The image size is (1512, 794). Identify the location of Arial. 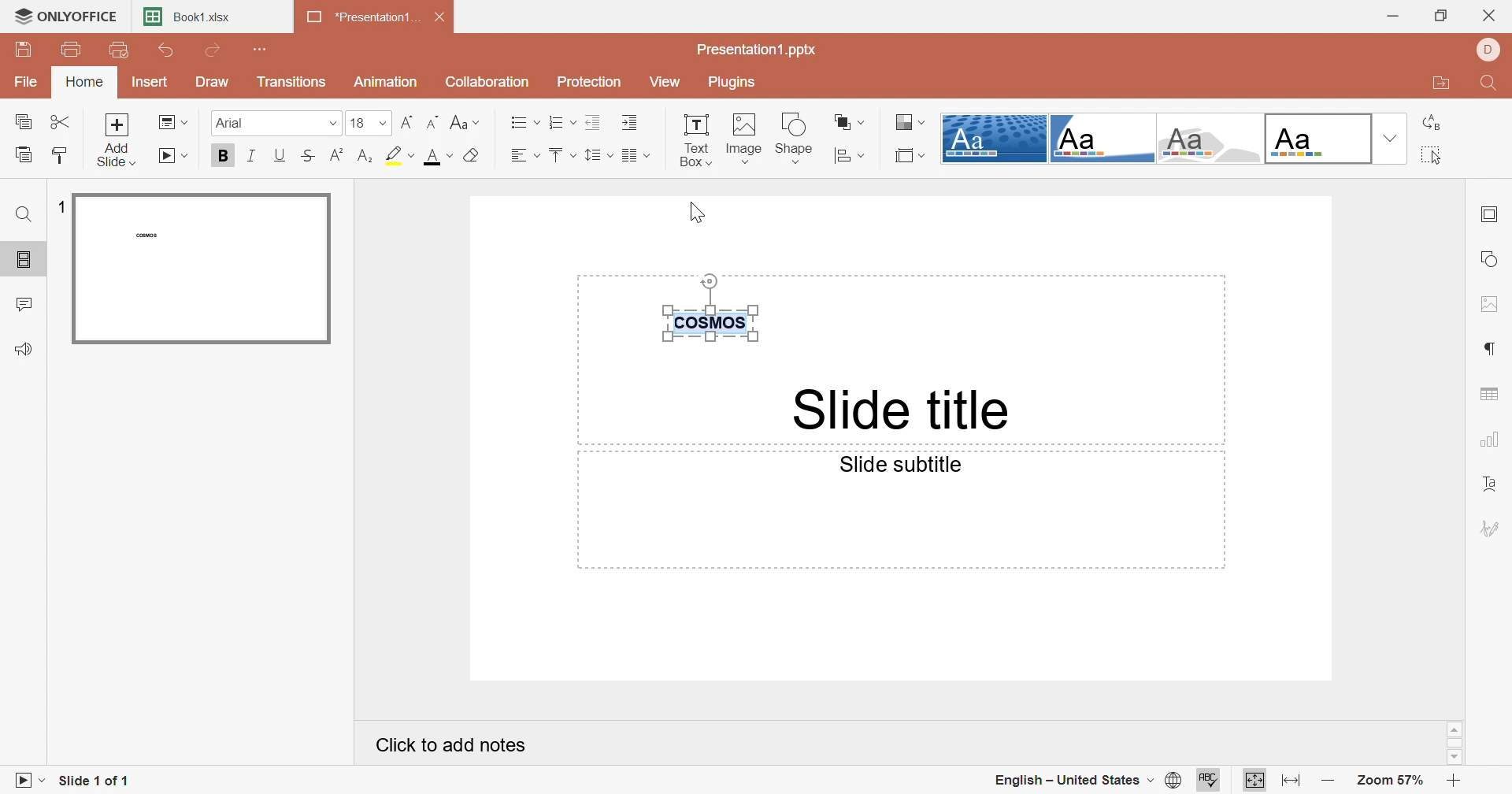
(278, 124).